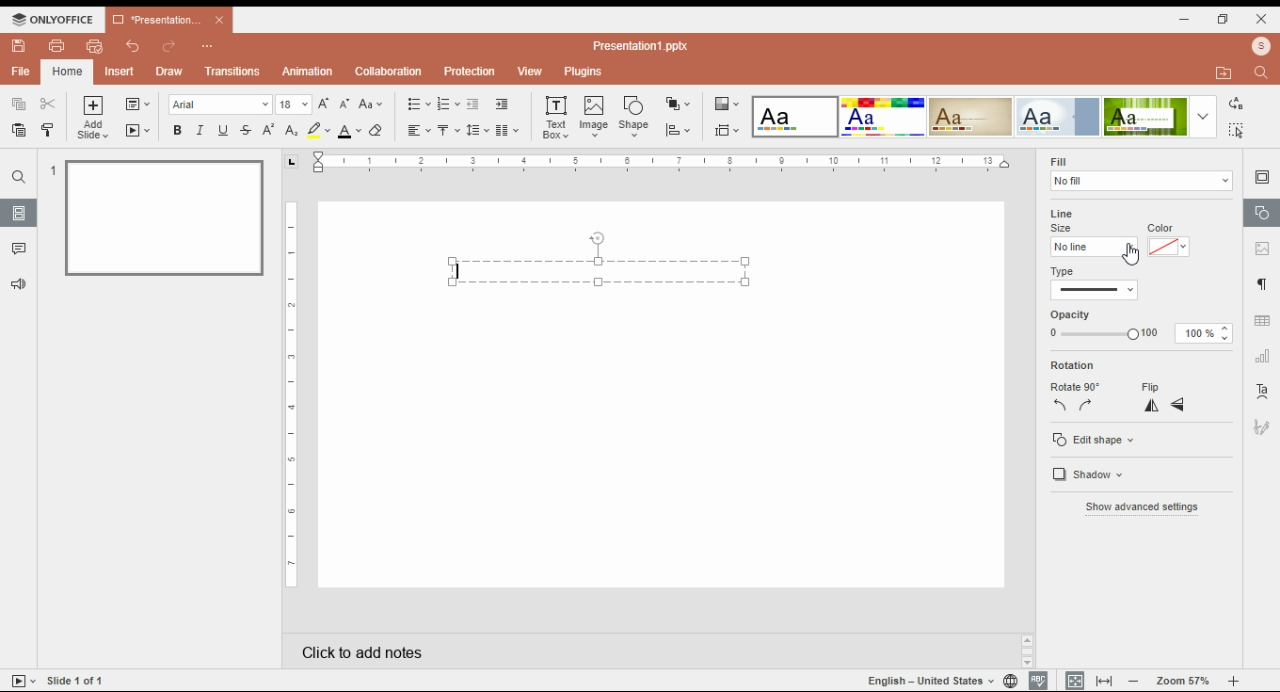  I want to click on font size, so click(293, 104).